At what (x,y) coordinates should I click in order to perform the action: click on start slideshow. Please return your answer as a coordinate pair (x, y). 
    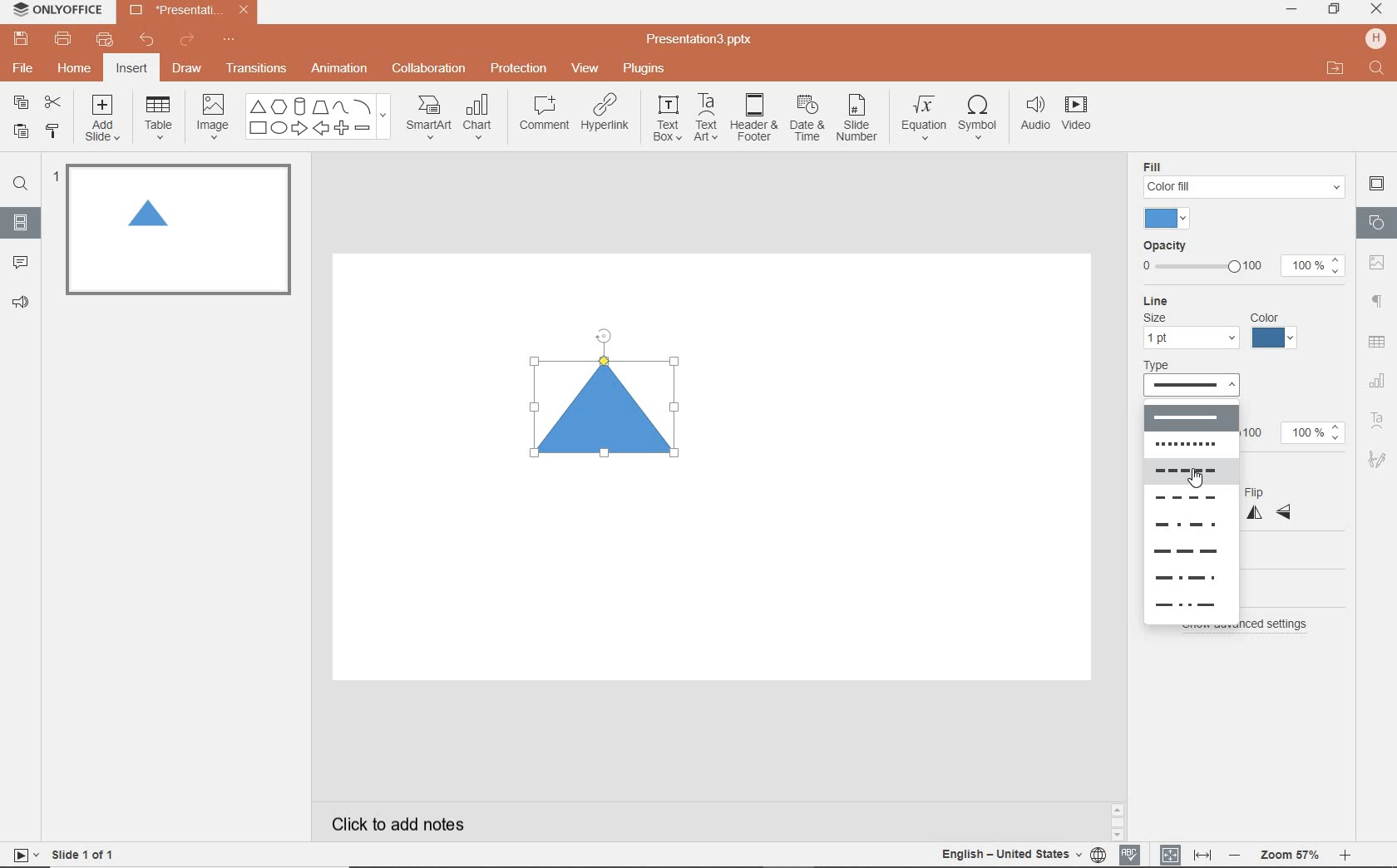
    Looking at the image, I should click on (20, 857).